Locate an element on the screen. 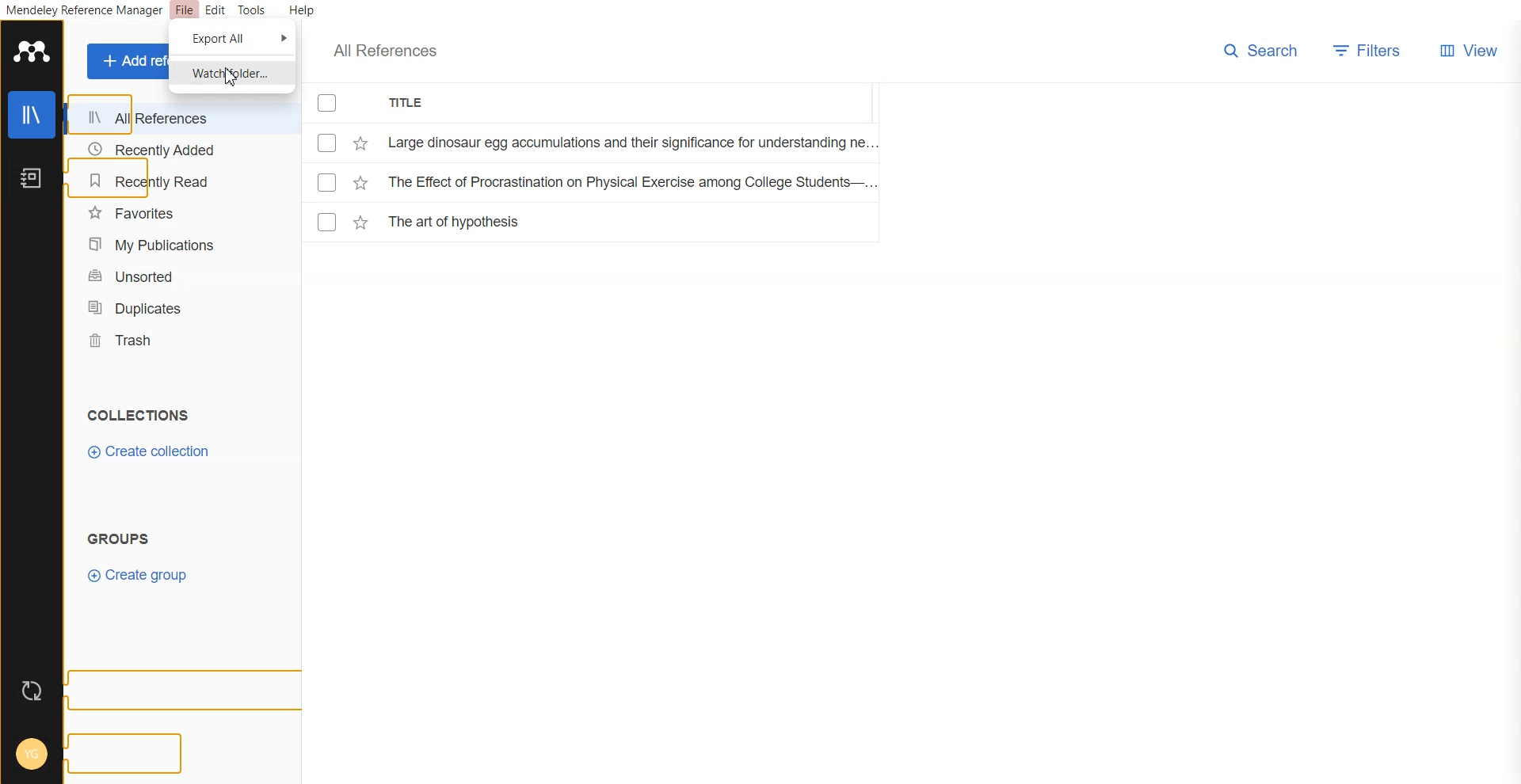 This screenshot has height=784, width=1521. My Publication is located at coordinates (170, 244).